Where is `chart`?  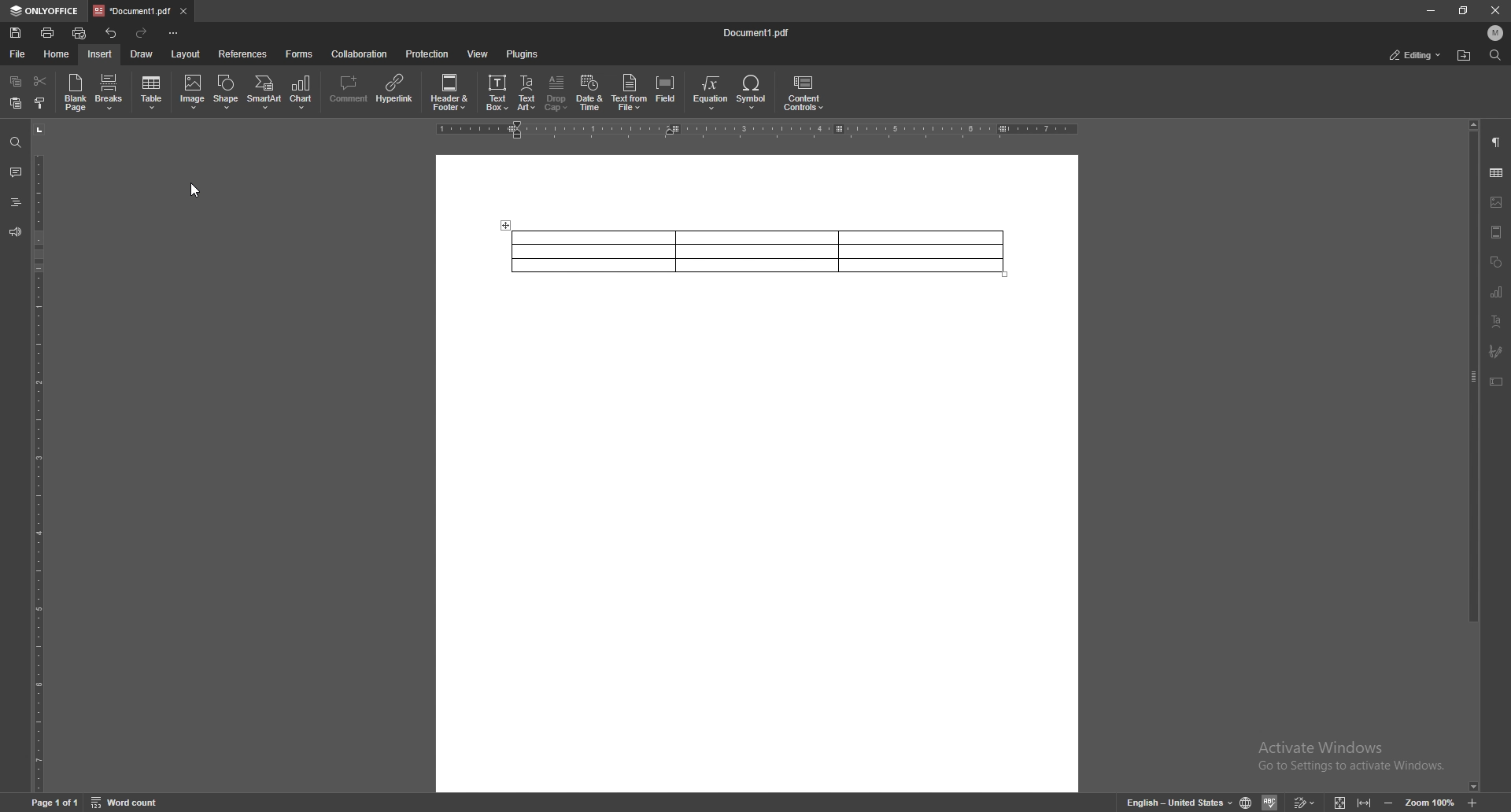
chart is located at coordinates (1498, 293).